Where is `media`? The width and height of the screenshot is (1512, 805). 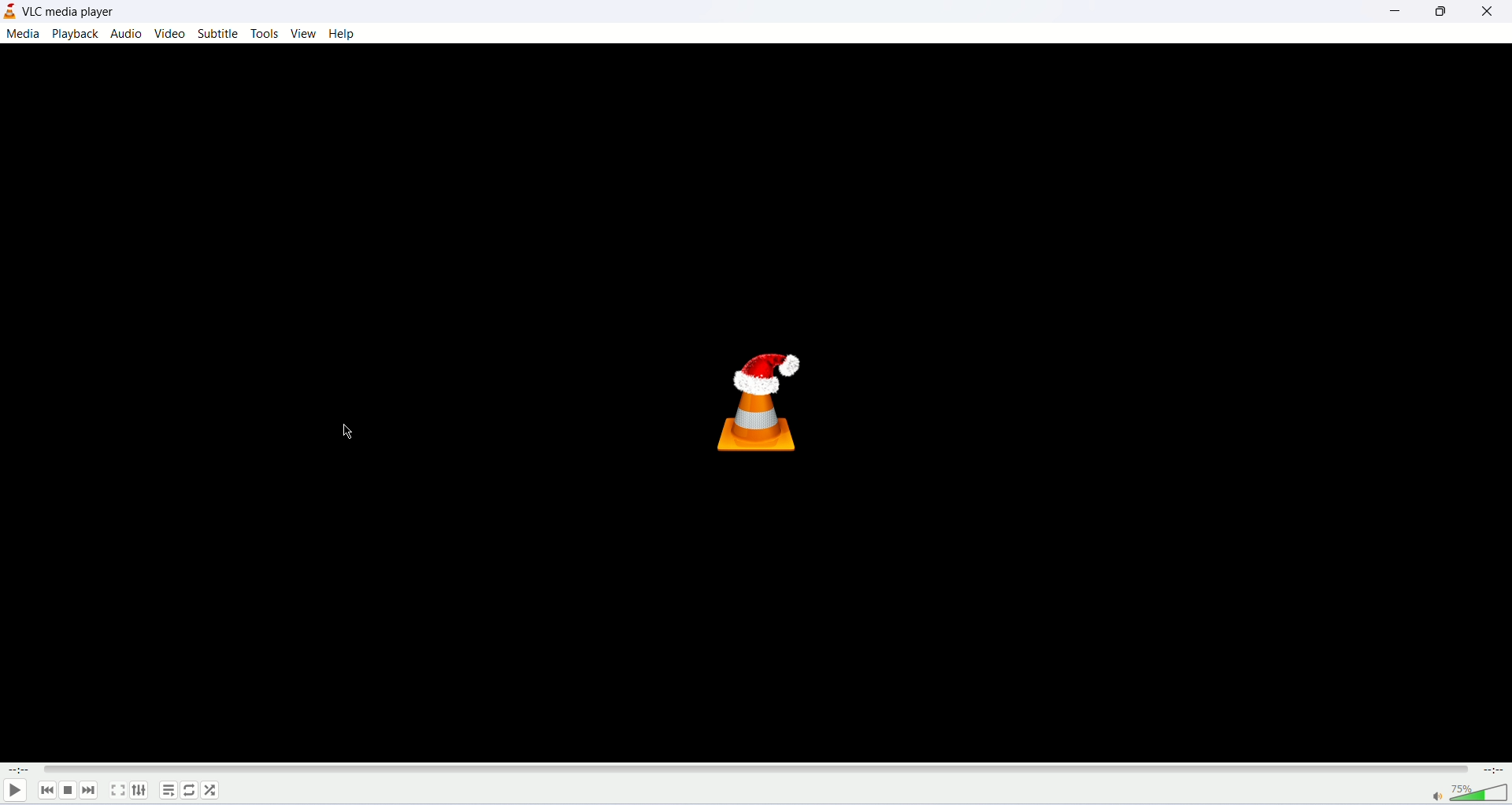
media is located at coordinates (20, 33).